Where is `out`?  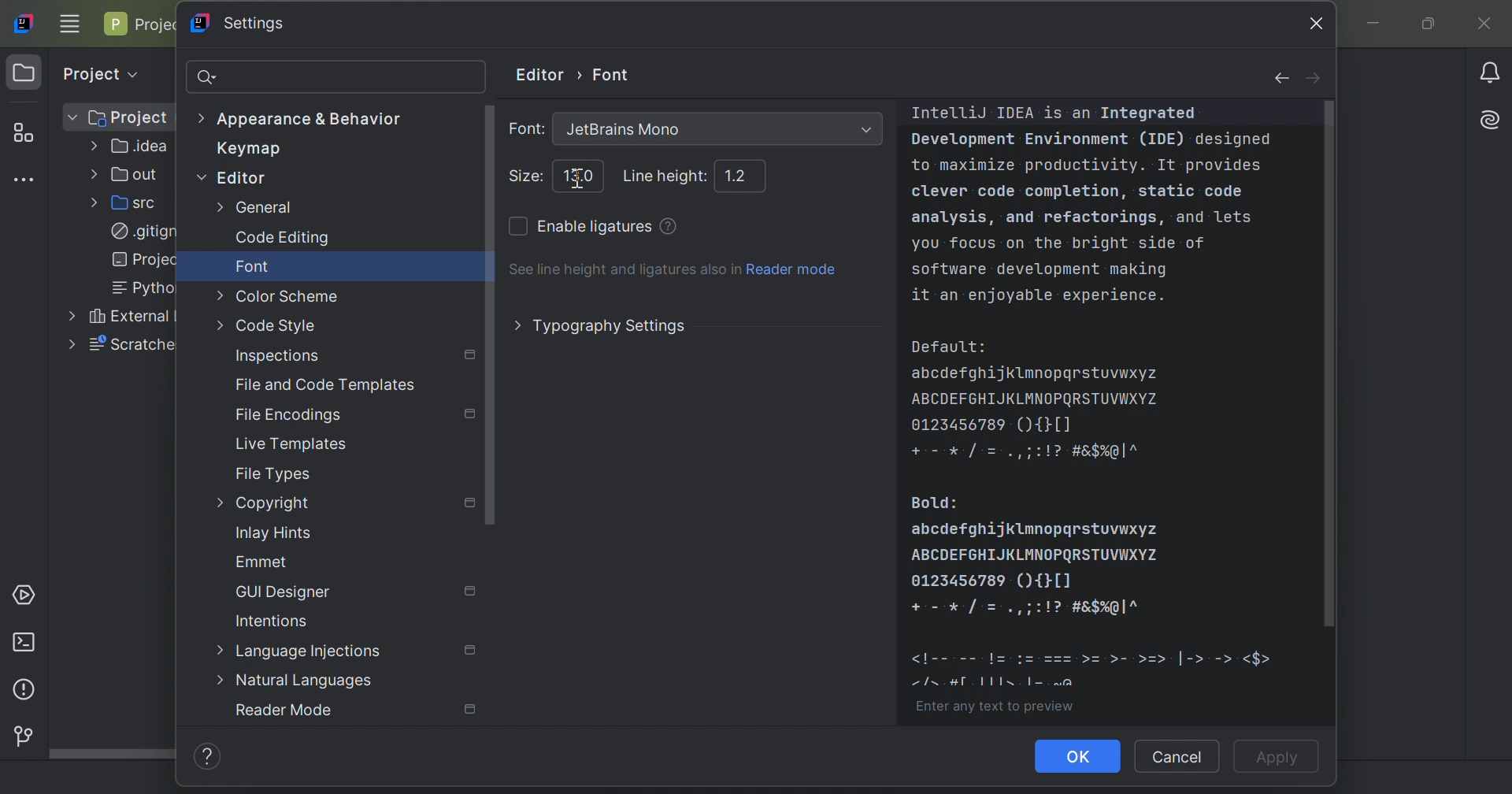
out is located at coordinates (128, 175).